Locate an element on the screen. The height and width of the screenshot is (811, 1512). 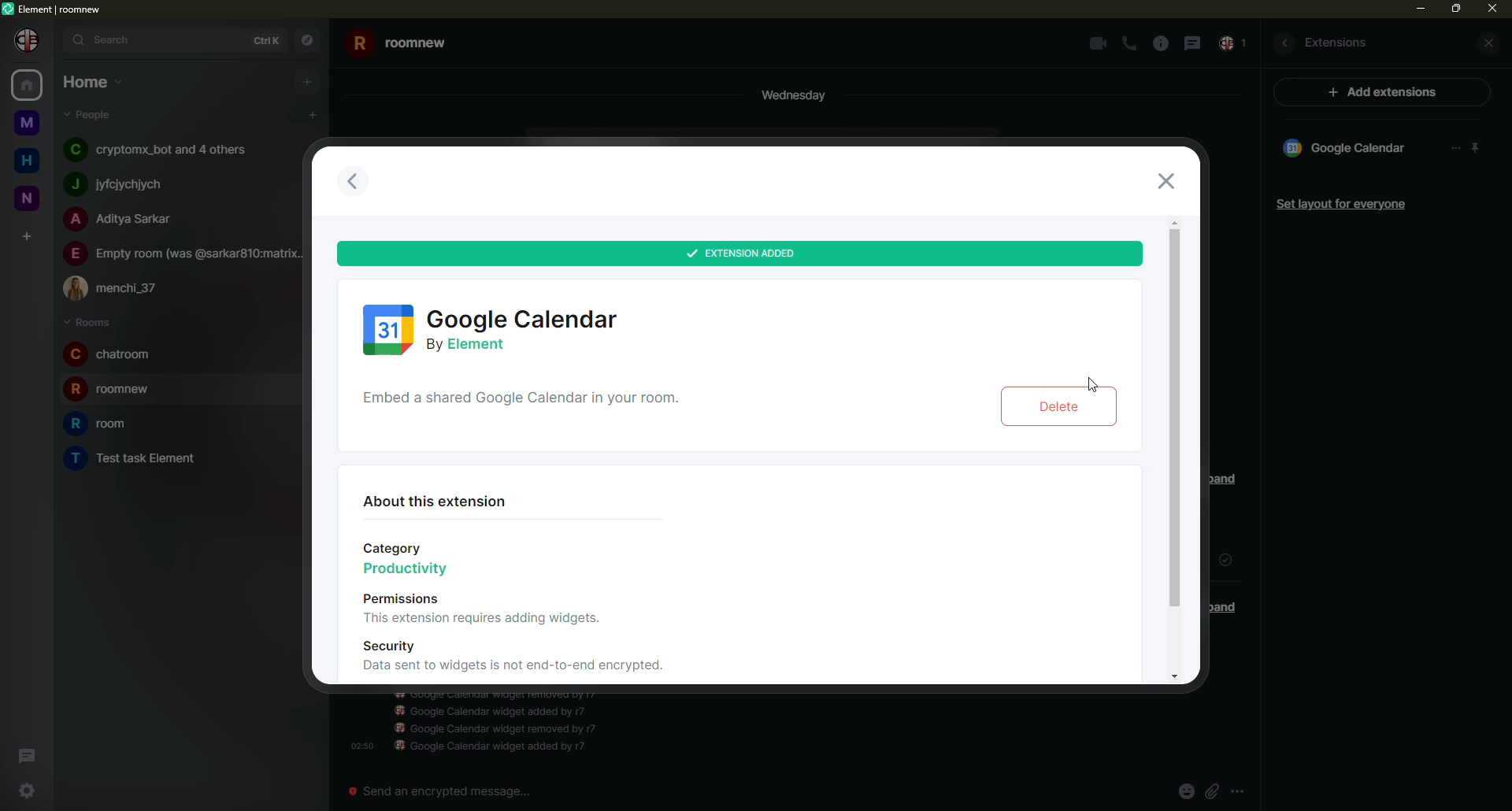
add is located at coordinates (308, 81).